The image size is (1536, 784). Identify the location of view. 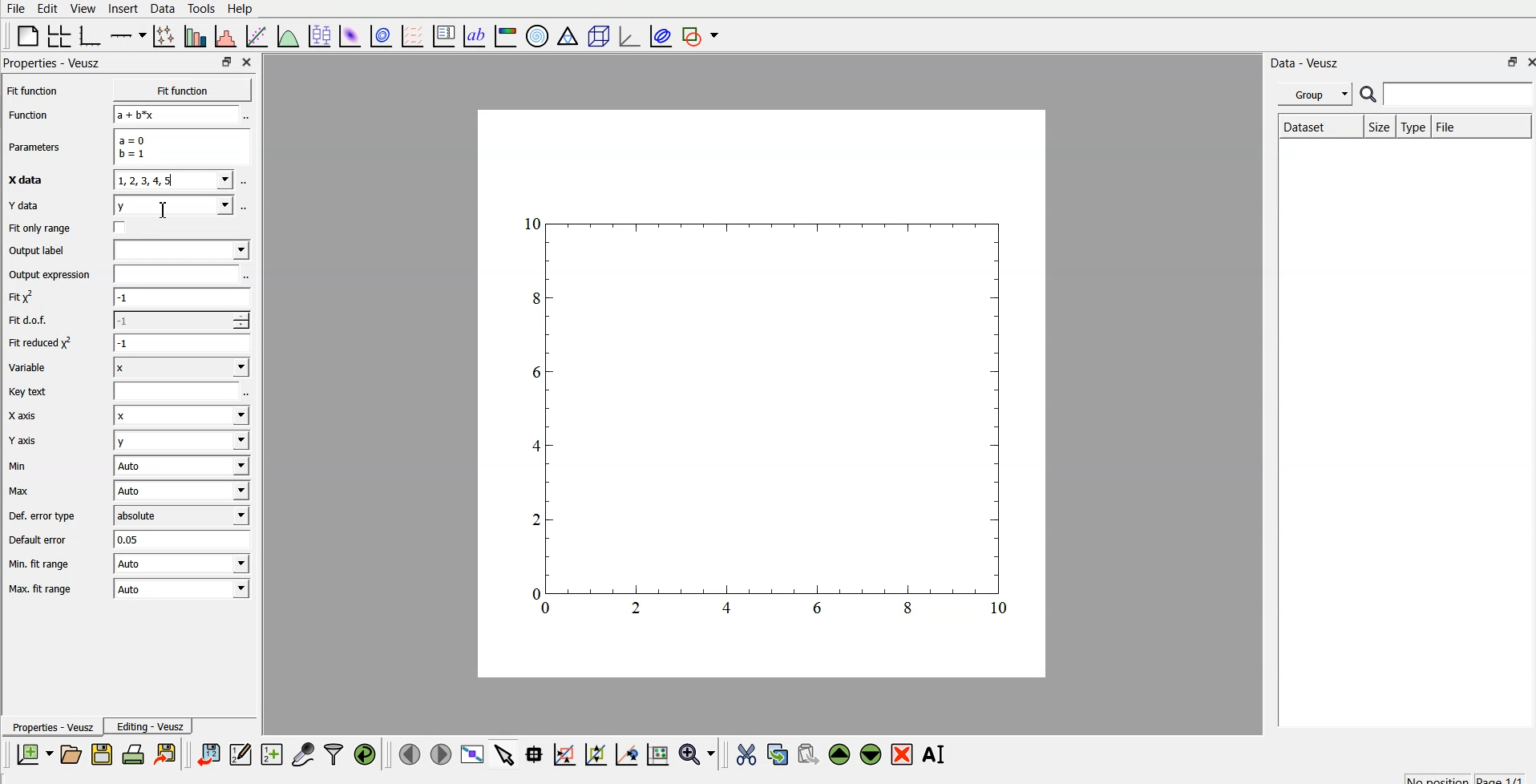
(81, 8).